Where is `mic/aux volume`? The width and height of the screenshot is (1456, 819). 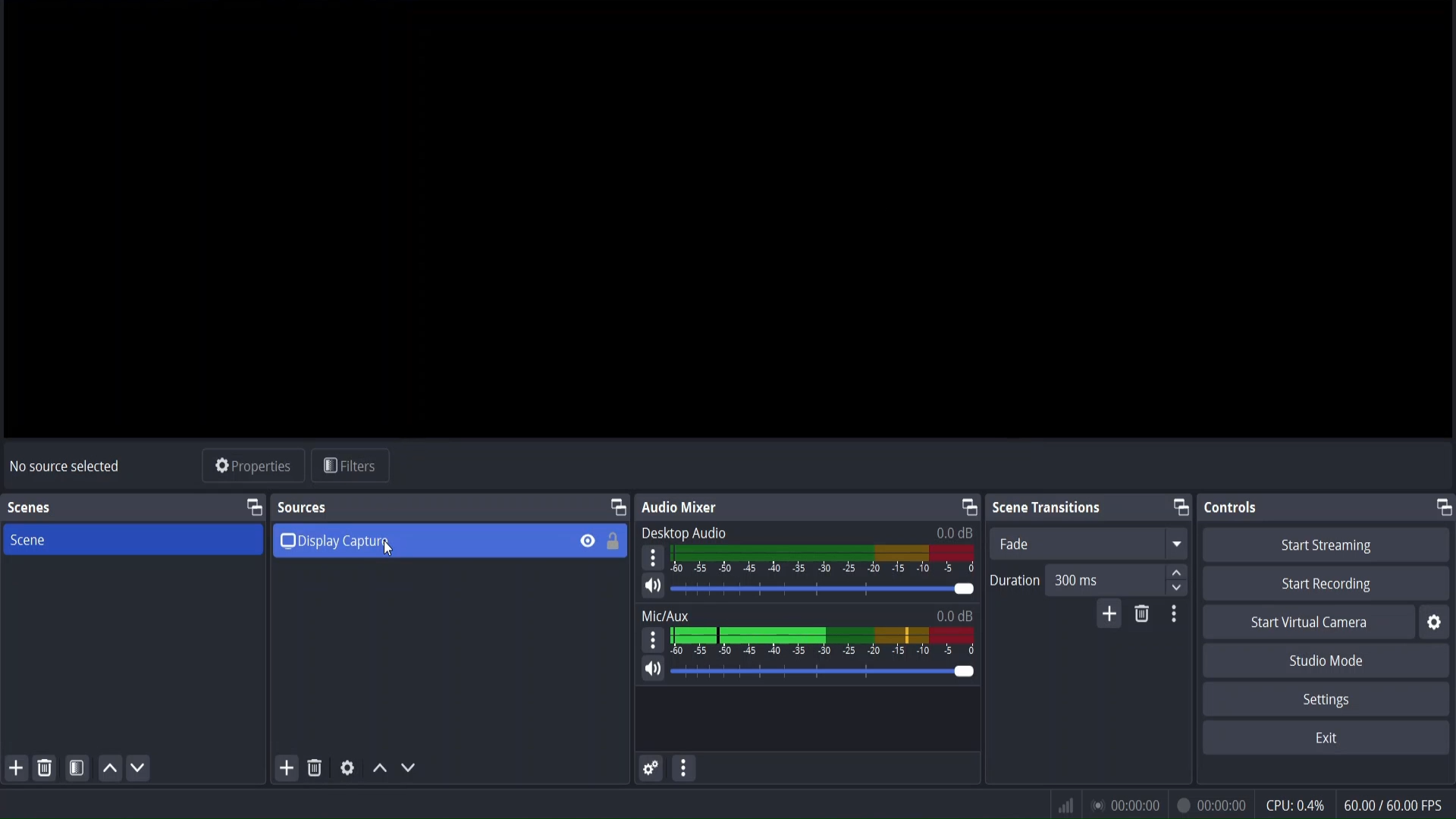 mic/aux volume is located at coordinates (824, 641).